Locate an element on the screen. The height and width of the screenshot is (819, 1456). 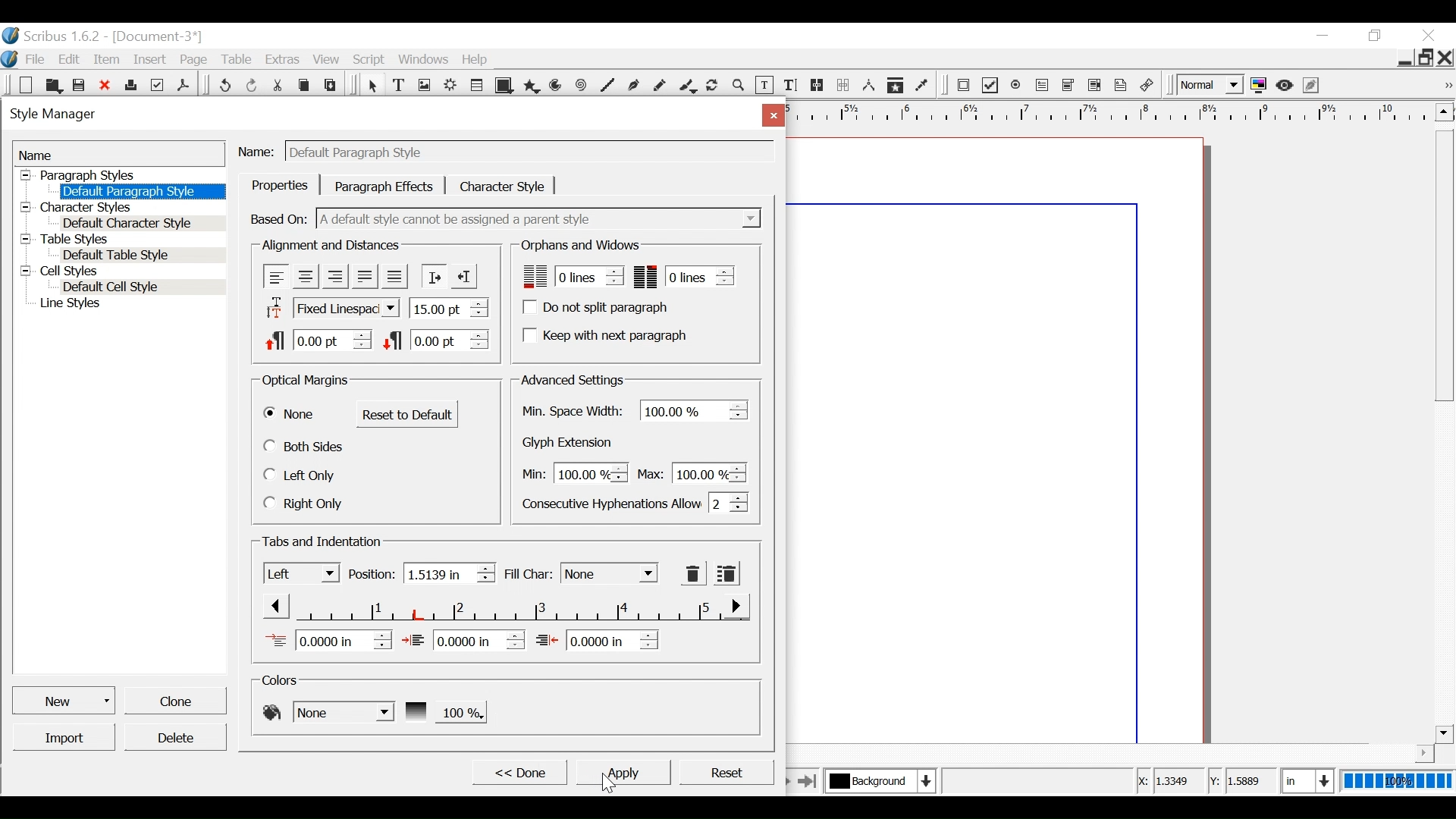
Default Cell Style is located at coordinates (143, 288).